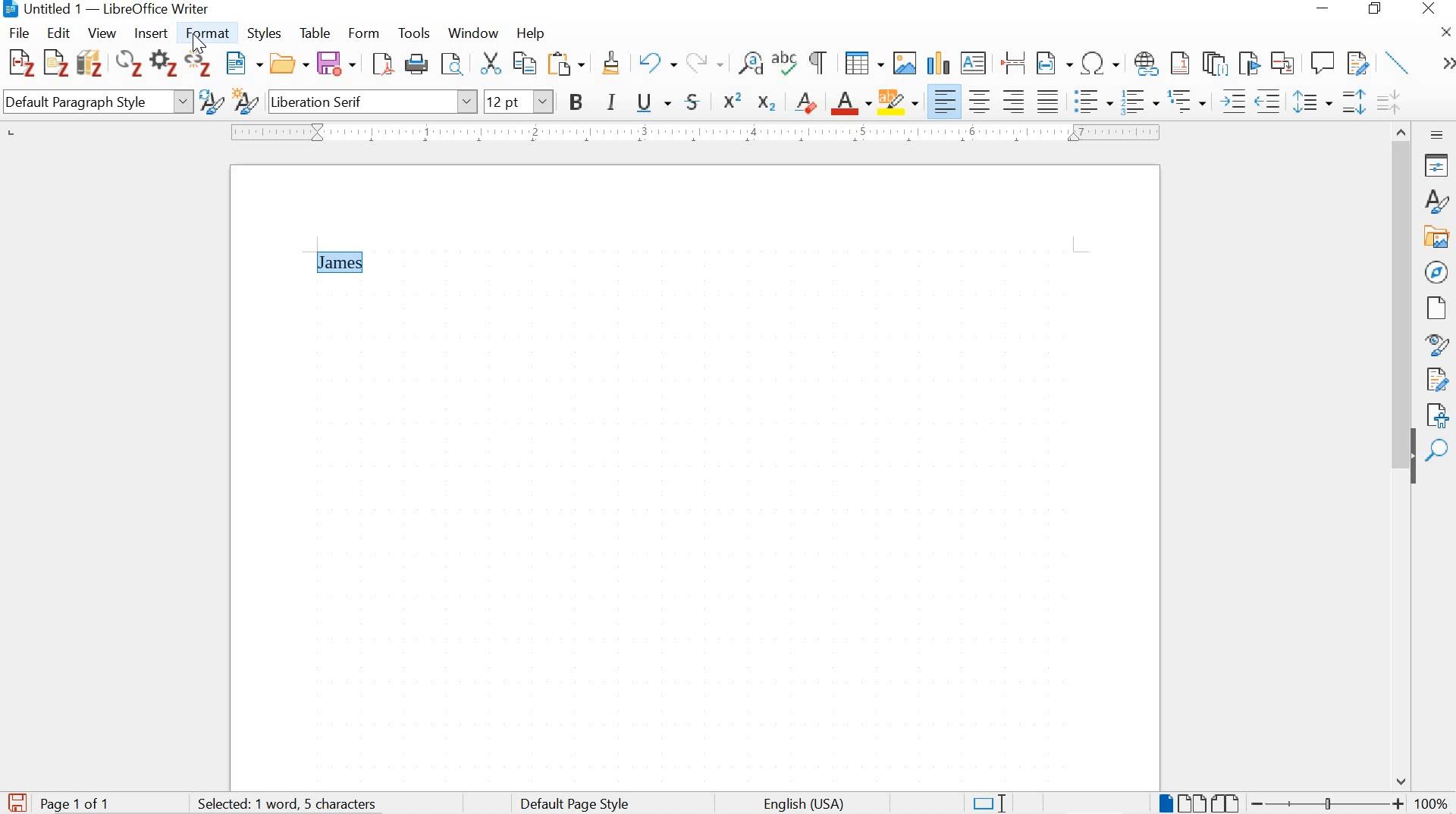 Image resolution: width=1456 pixels, height=814 pixels. I want to click on cursor at format, so click(201, 45).